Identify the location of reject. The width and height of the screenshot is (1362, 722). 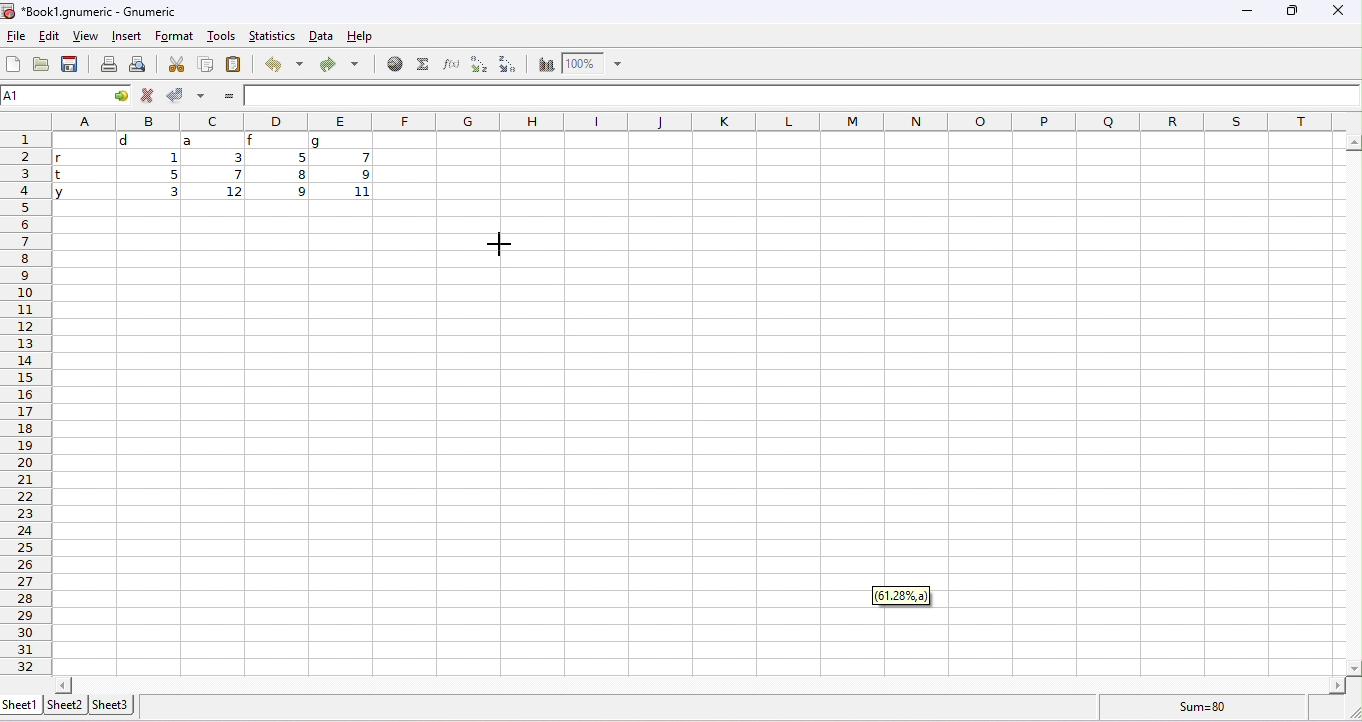
(146, 95).